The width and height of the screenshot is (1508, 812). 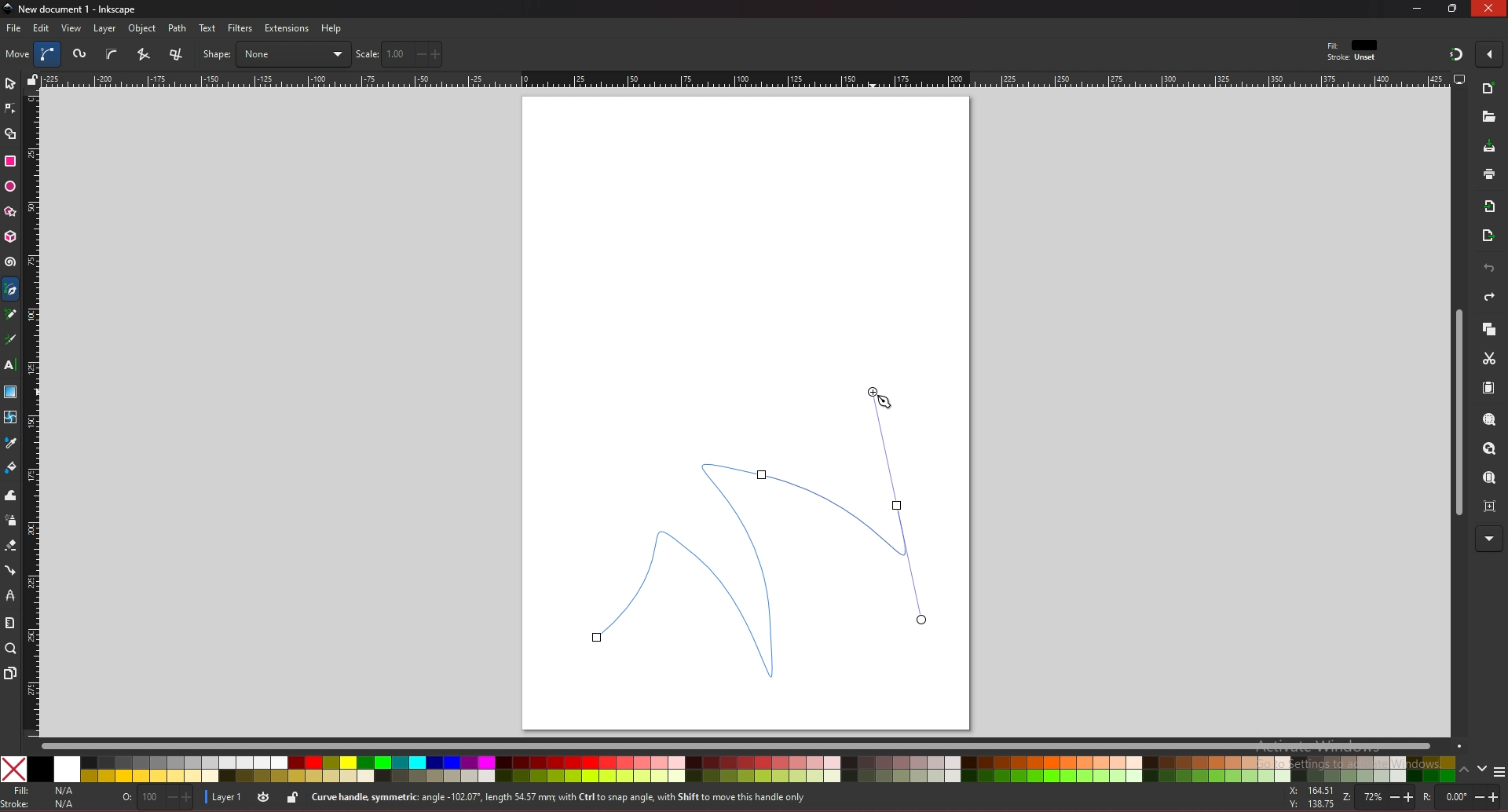 I want to click on close, so click(x=1489, y=8).